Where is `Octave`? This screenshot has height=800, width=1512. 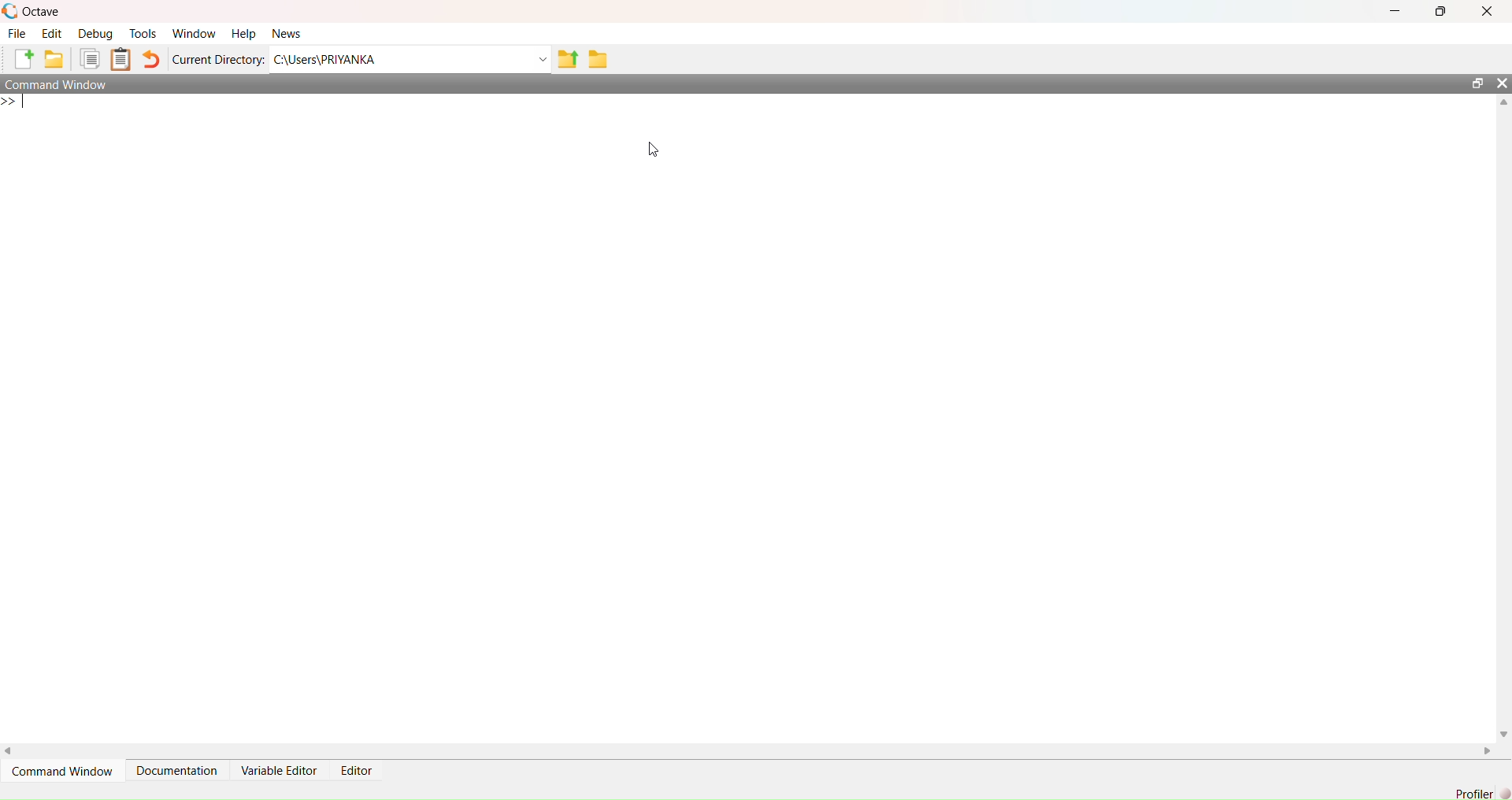 Octave is located at coordinates (43, 13).